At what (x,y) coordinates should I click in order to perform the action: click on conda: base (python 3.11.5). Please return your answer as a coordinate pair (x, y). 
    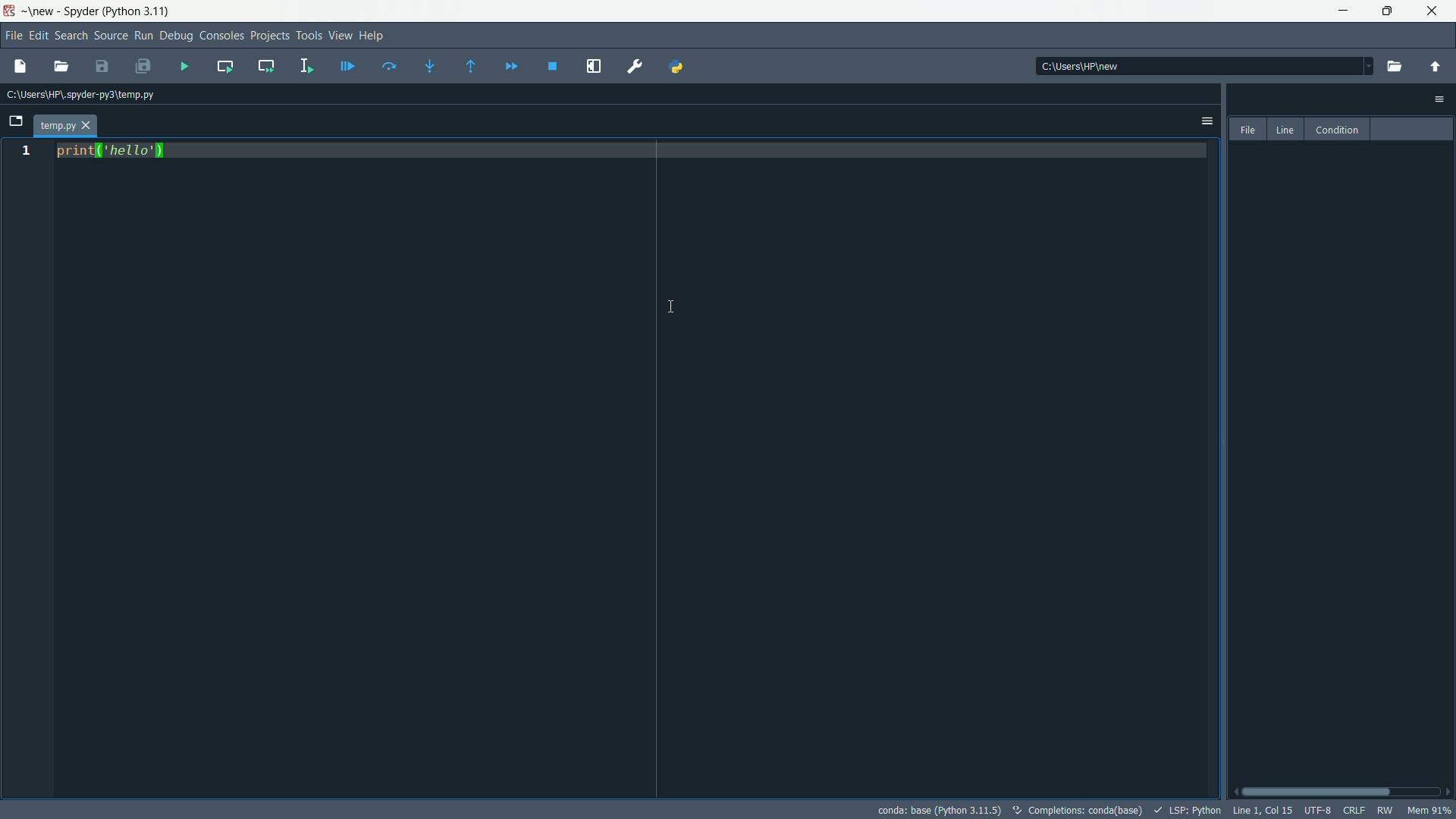
    Looking at the image, I should click on (940, 810).